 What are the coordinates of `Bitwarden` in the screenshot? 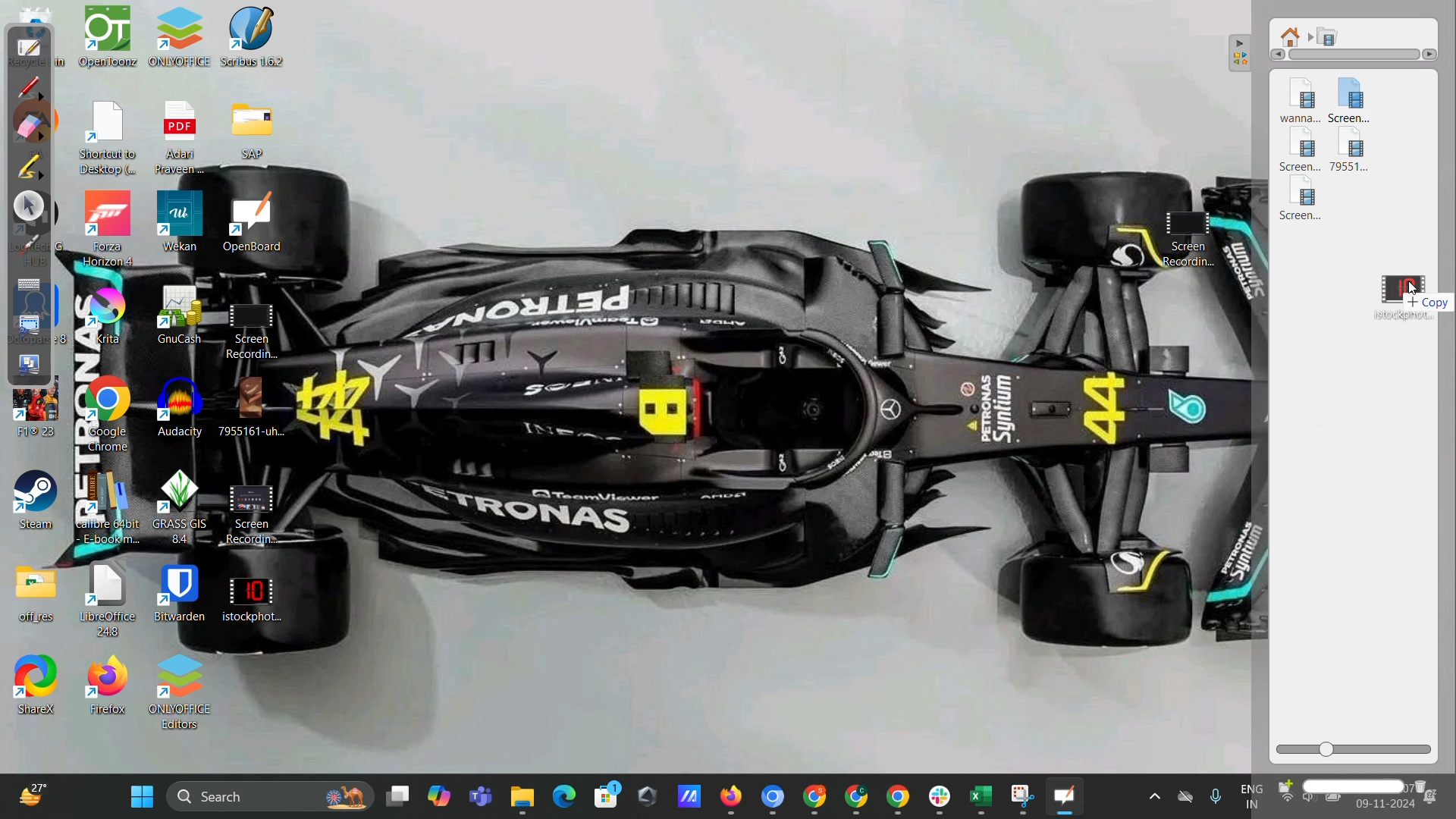 It's located at (185, 597).